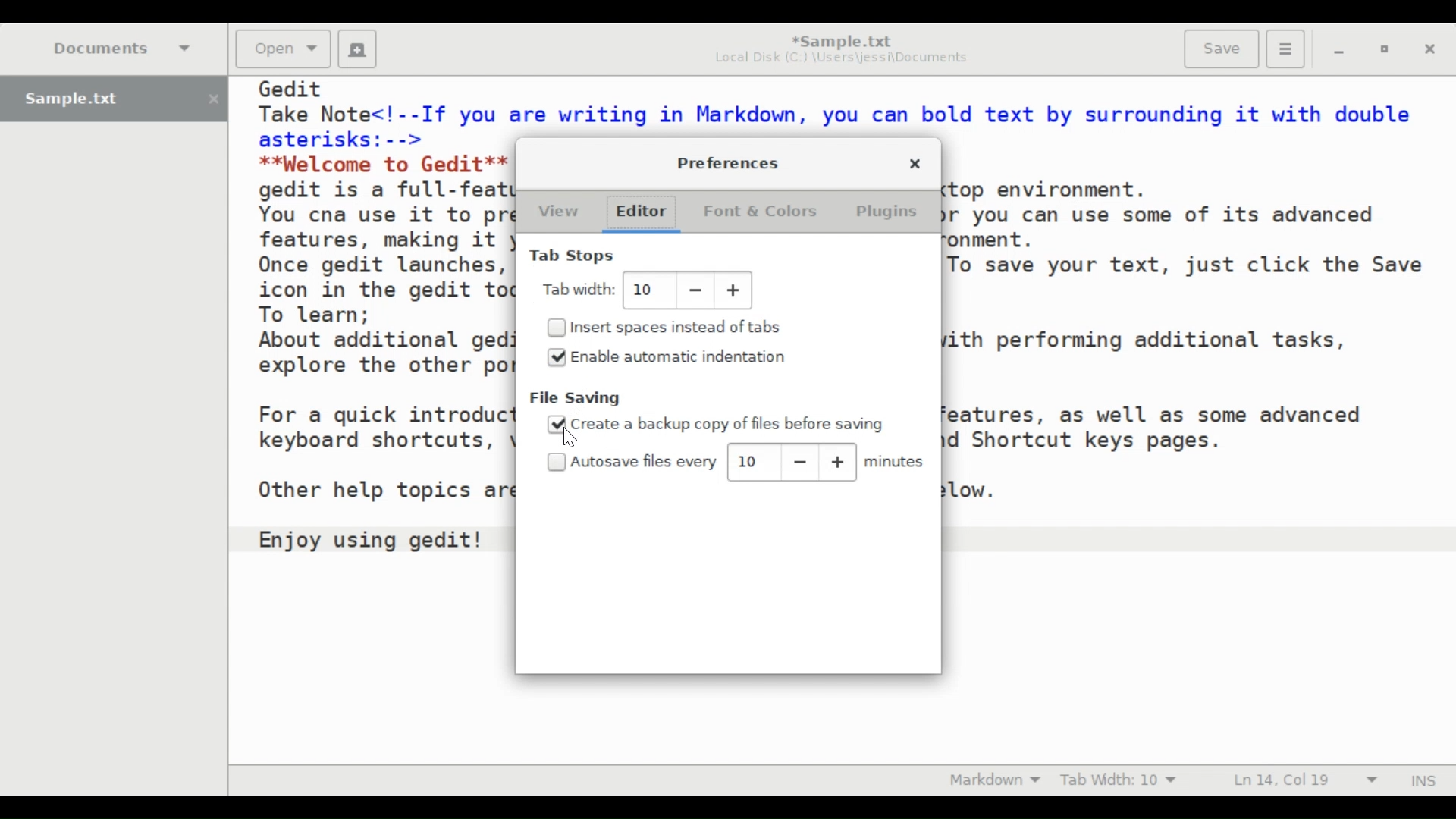 This screenshot has width=1456, height=819. What do you see at coordinates (648, 213) in the screenshot?
I see `Editor (current)` at bounding box center [648, 213].